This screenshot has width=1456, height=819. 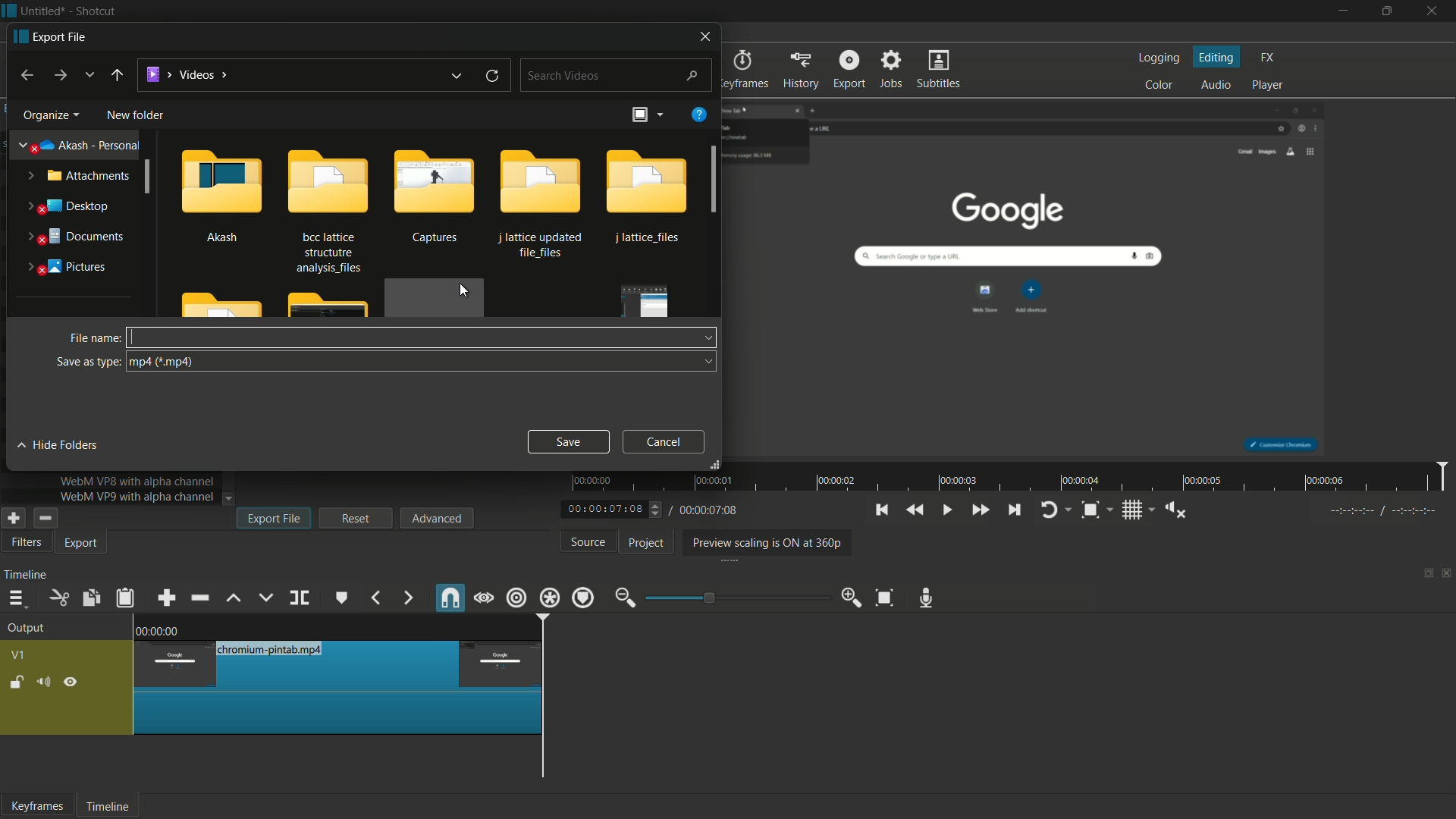 I want to click on attachments, so click(x=76, y=175).